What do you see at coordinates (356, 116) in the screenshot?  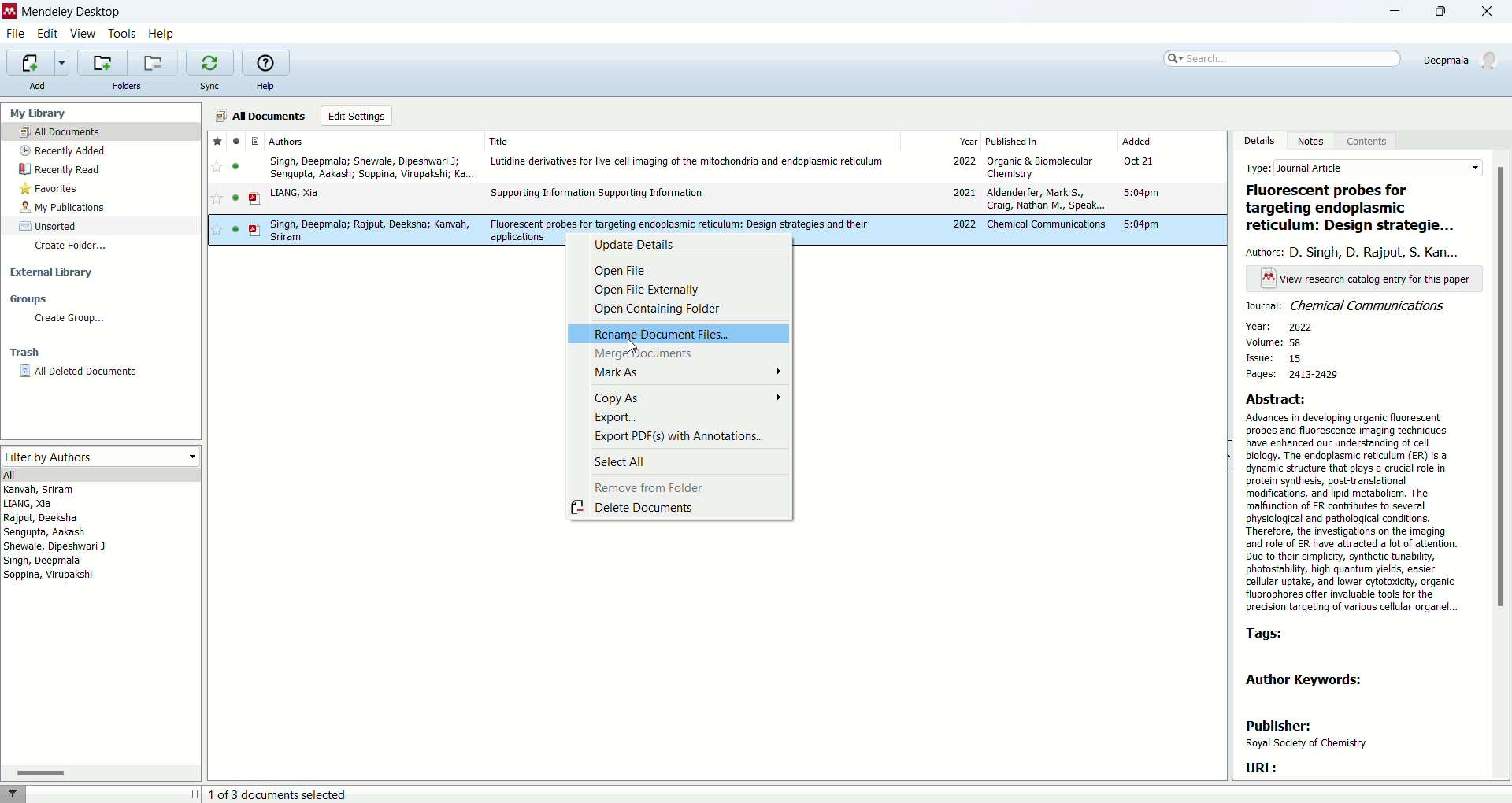 I see `edit settings` at bounding box center [356, 116].